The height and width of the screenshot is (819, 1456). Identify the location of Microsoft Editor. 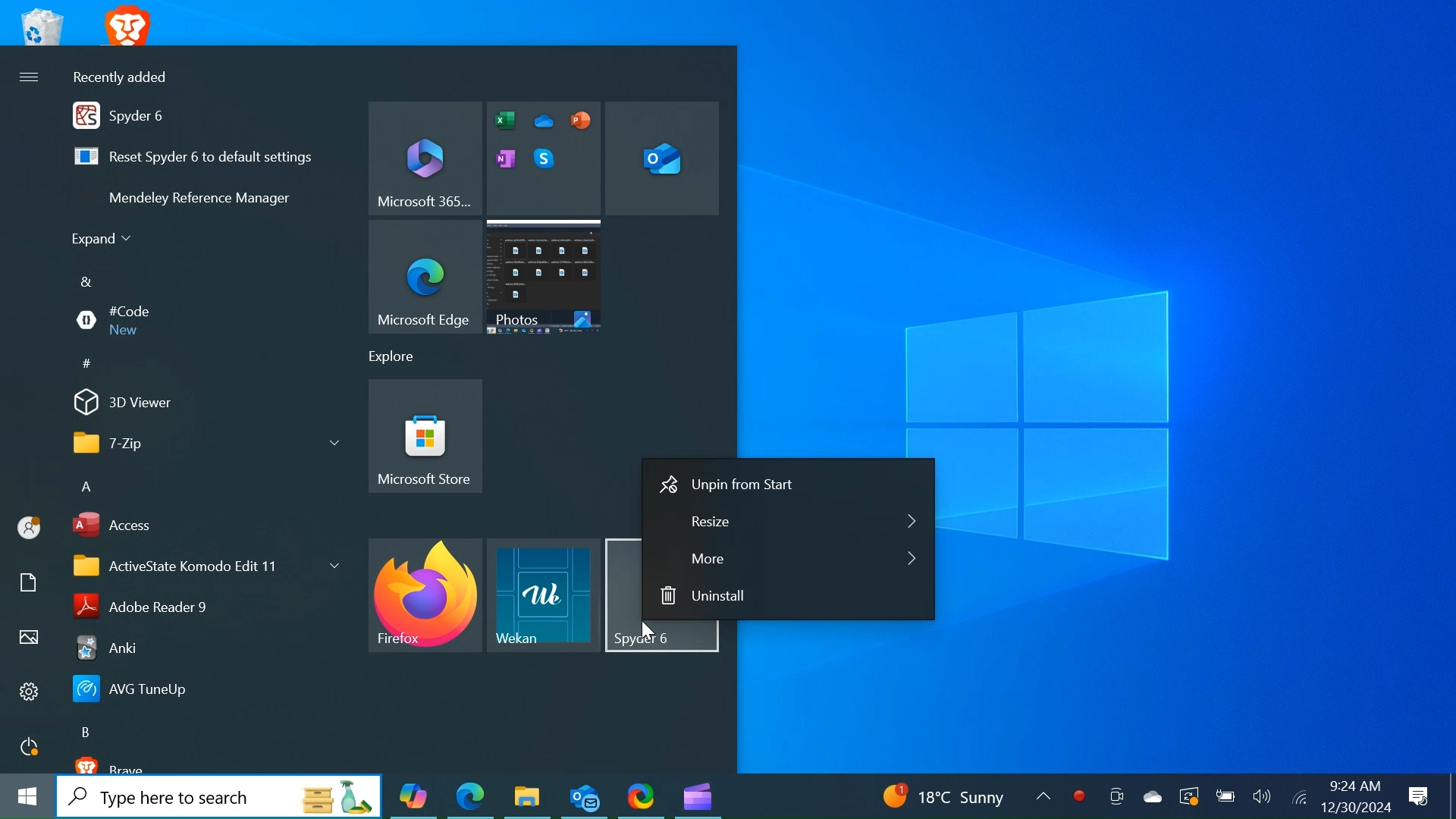
(544, 158).